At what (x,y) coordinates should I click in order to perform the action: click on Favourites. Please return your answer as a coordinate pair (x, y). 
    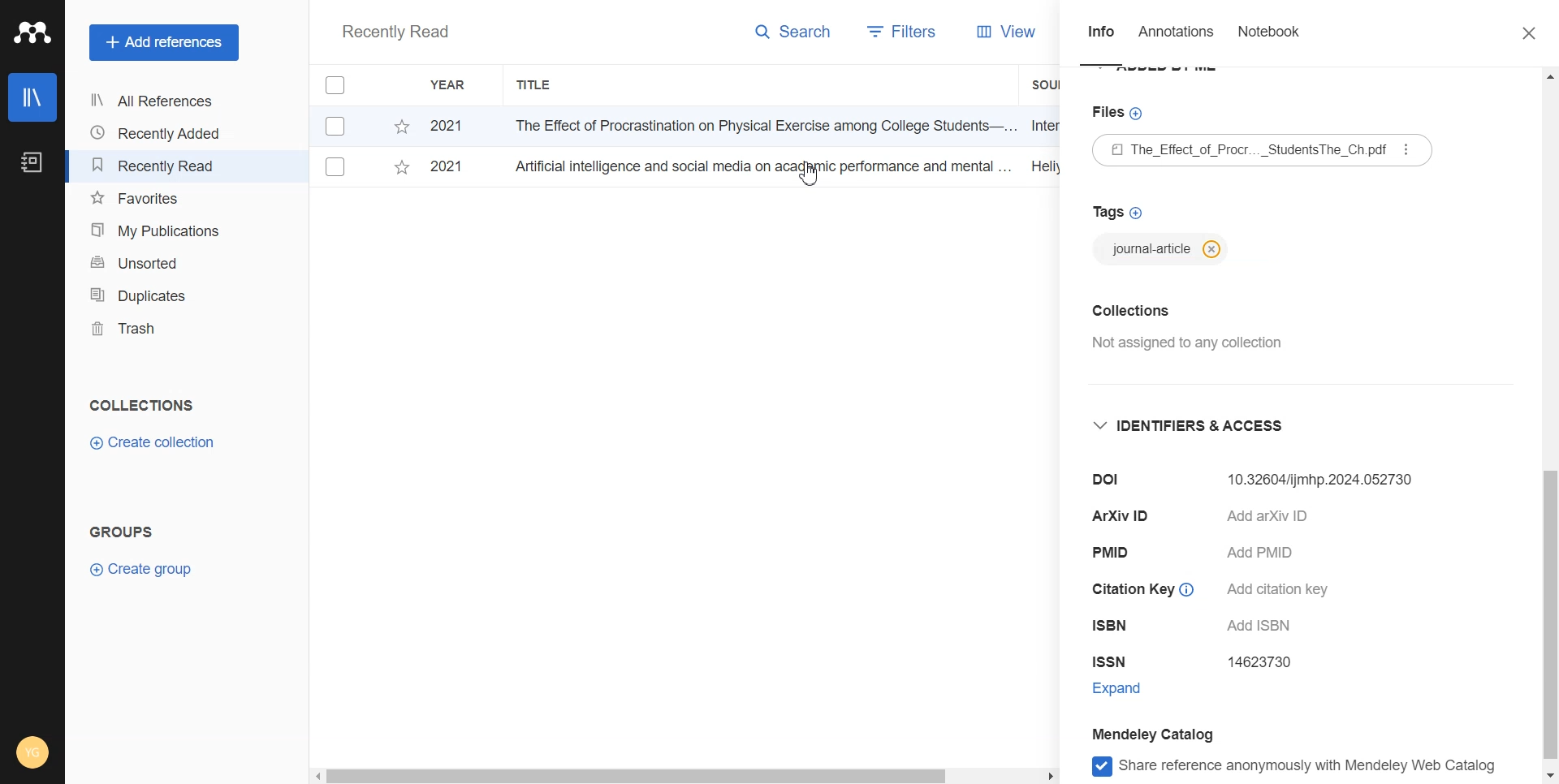
    Looking at the image, I should click on (160, 199).